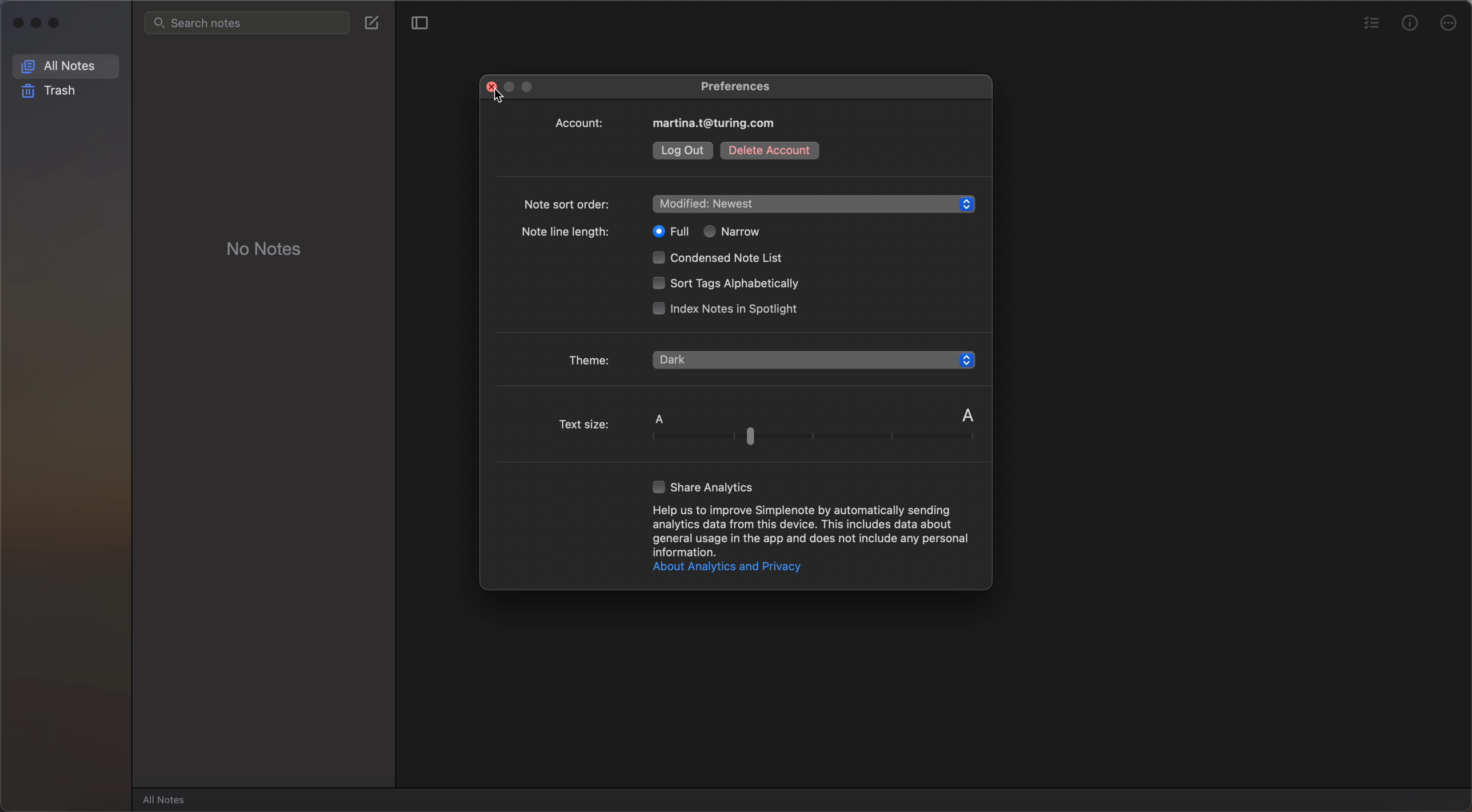 Image resolution: width=1472 pixels, height=812 pixels. What do you see at coordinates (247, 23) in the screenshot?
I see `search bar` at bounding box center [247, 23].